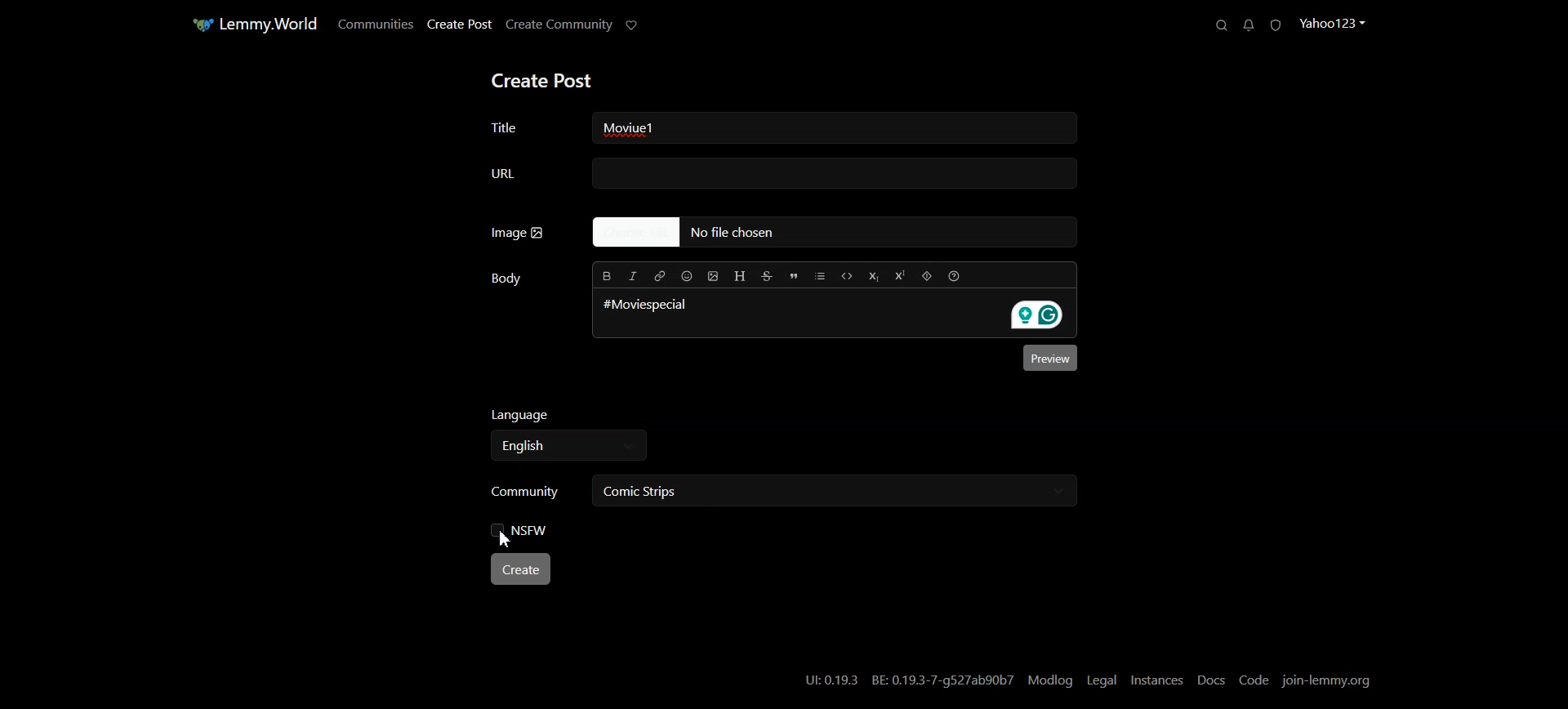 The width and height of the screenshot is (1568, 709). Describe the element at coordinates (929, 275) in the screenshot. I see `Spoiler` at that location.